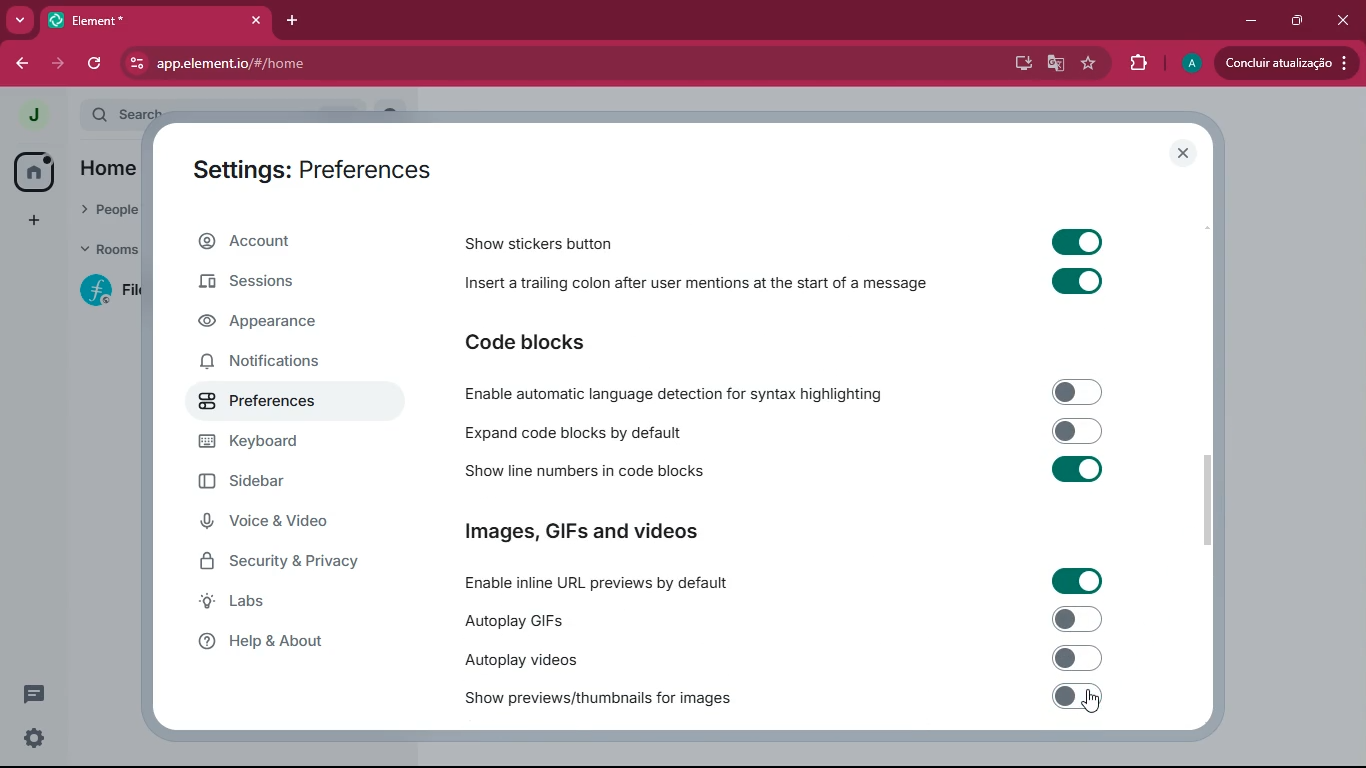 This screenshot has width=1366, height=768. Describe the element at coordinates (1074, 579) in the screenshot. I see `Toggle on` at that location.